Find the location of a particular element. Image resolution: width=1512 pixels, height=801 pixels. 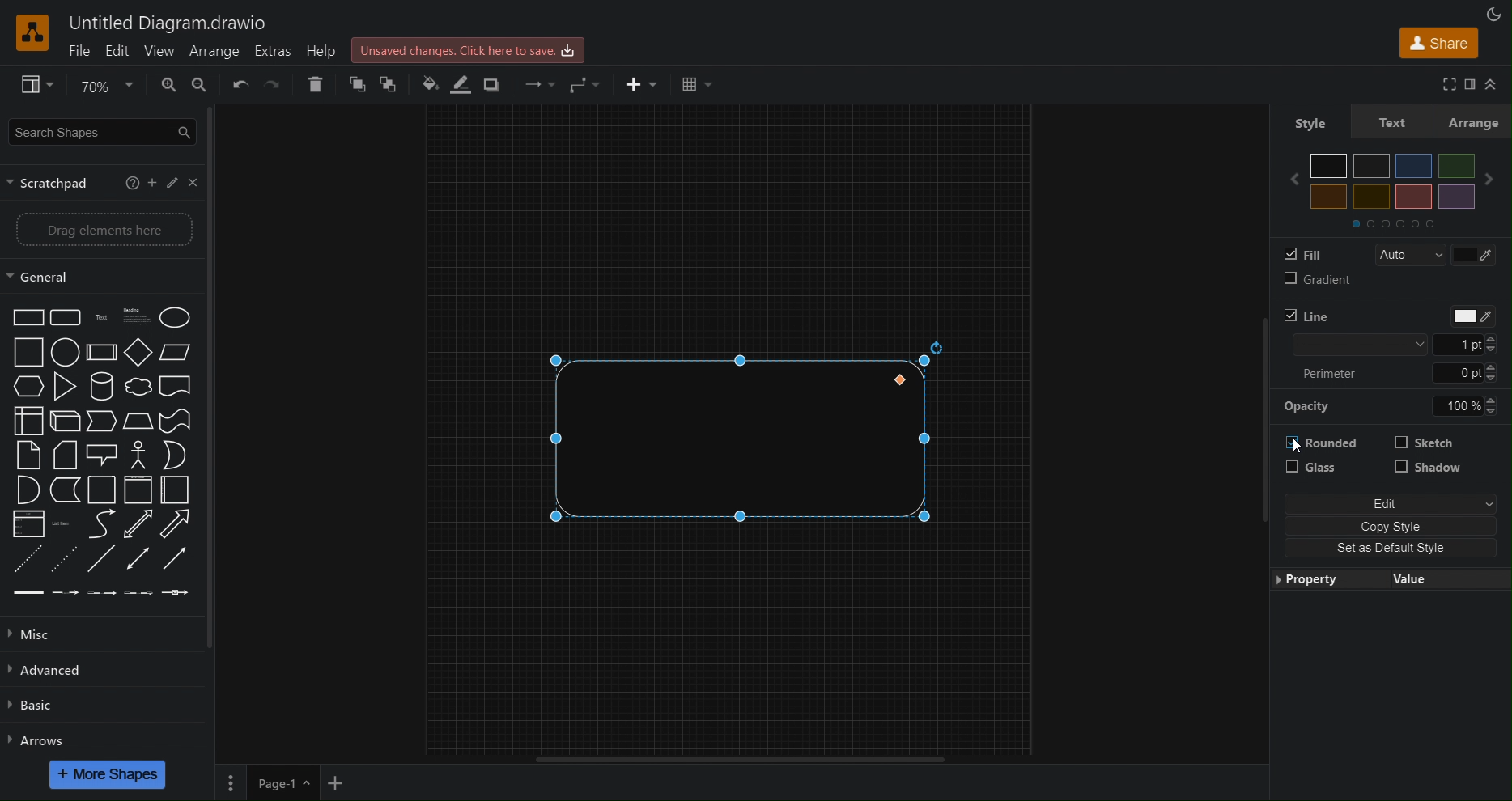

Rounded is located at coordinates (1327, 440).